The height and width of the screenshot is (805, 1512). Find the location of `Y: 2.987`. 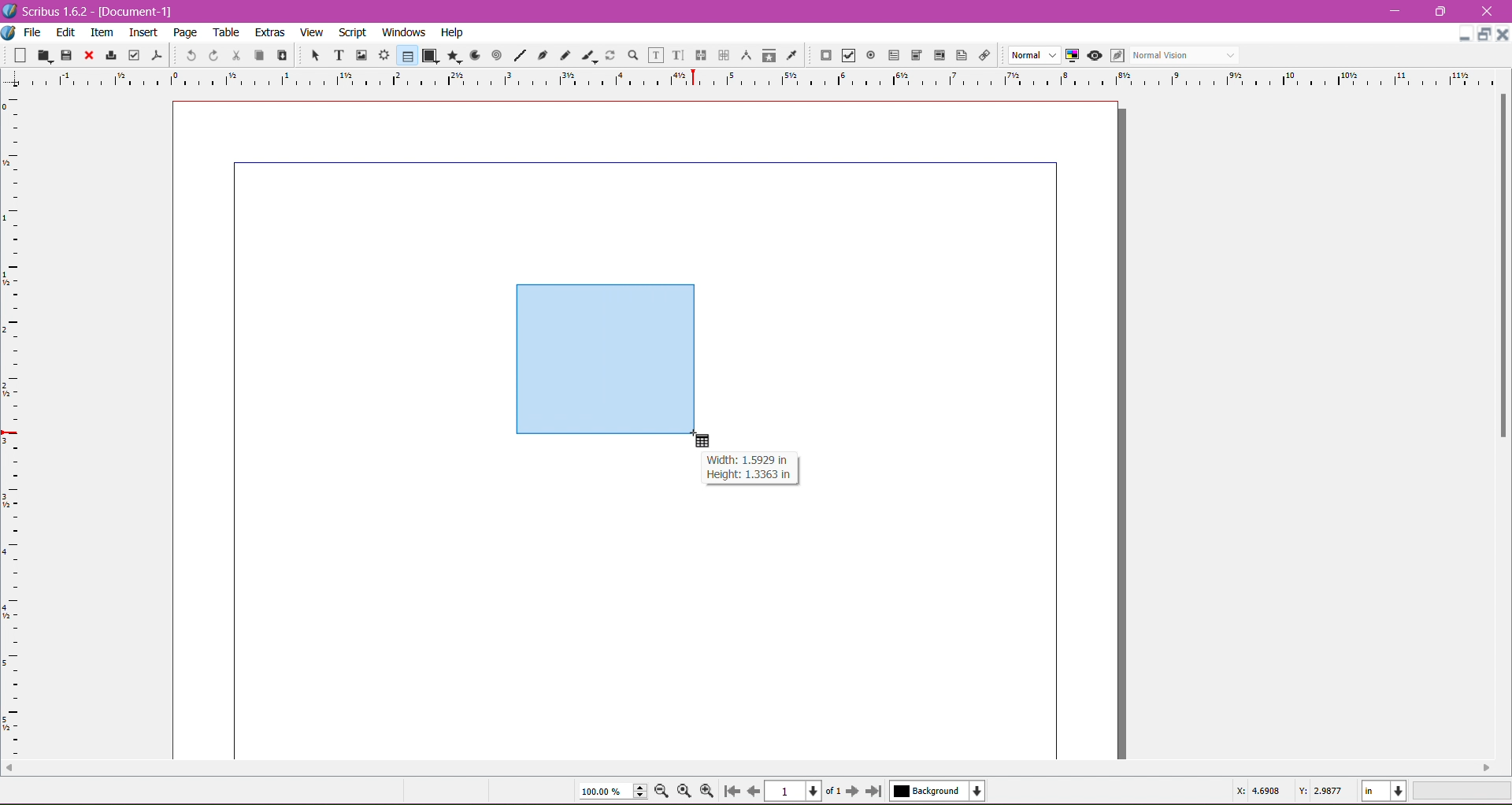

Y: 2.987 is located at coordinates (1320, 789).